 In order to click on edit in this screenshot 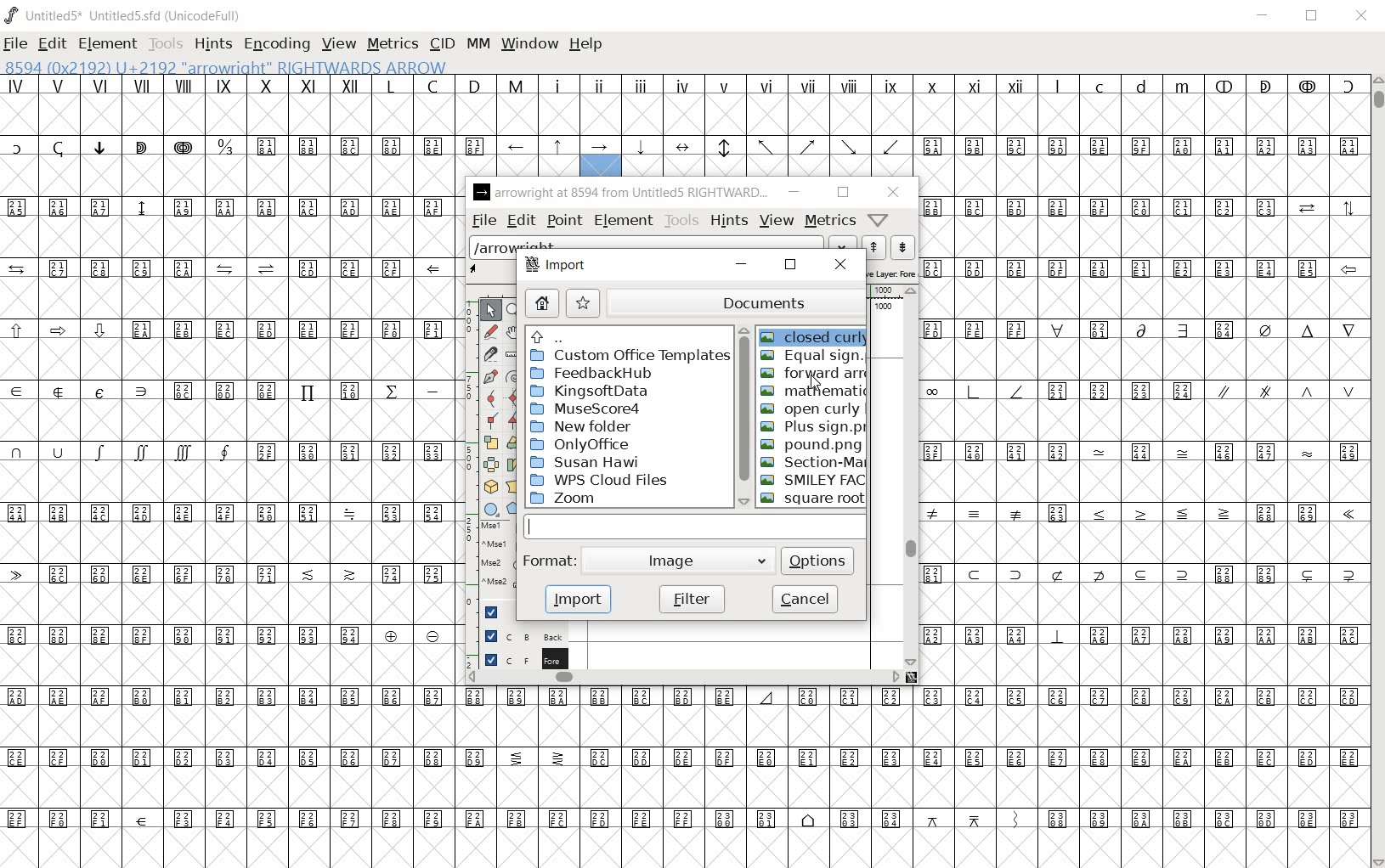, I will do `click(520, 220)`.